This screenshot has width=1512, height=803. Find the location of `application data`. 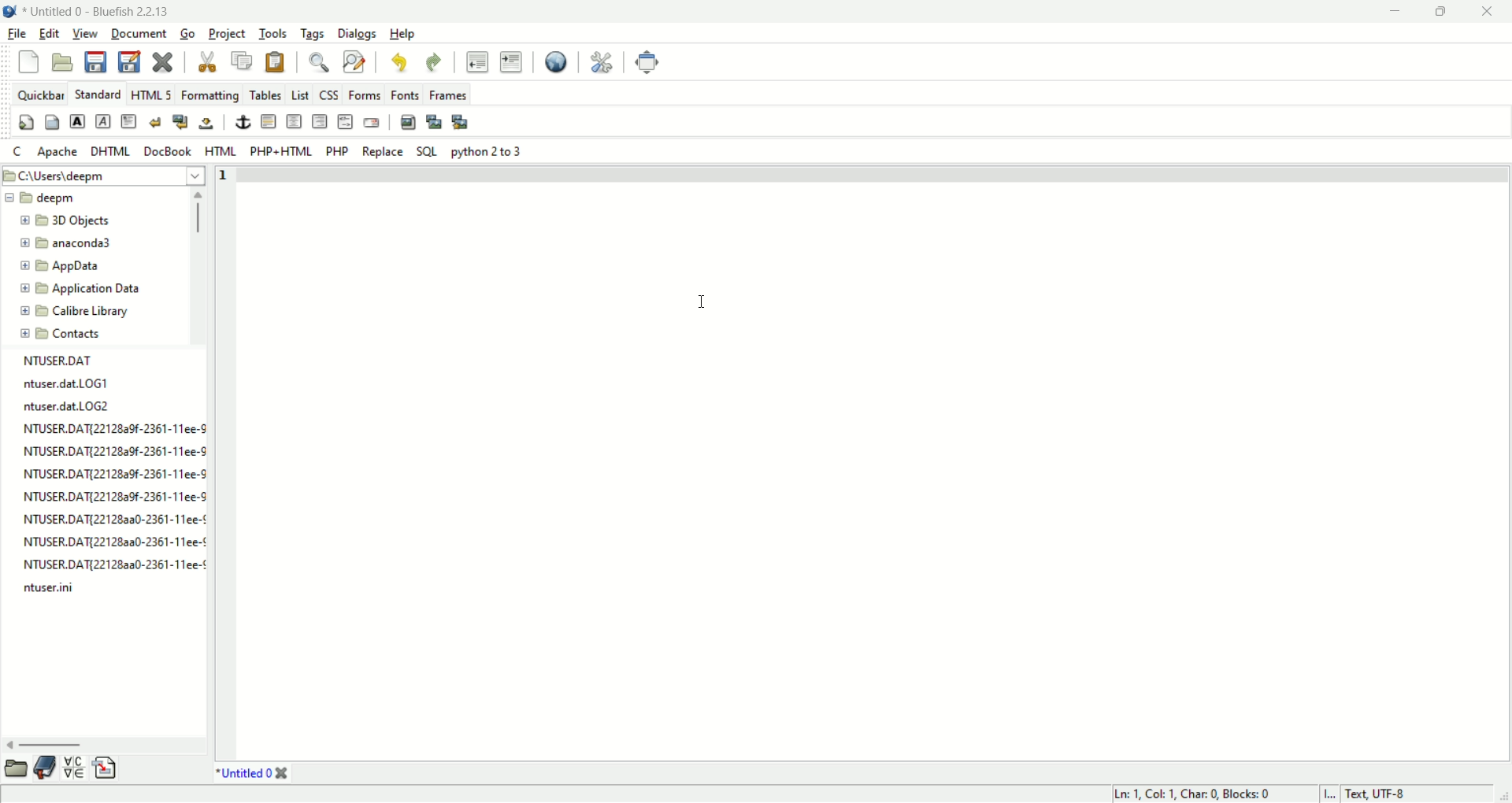

application data is located at coordinates (80, 289).